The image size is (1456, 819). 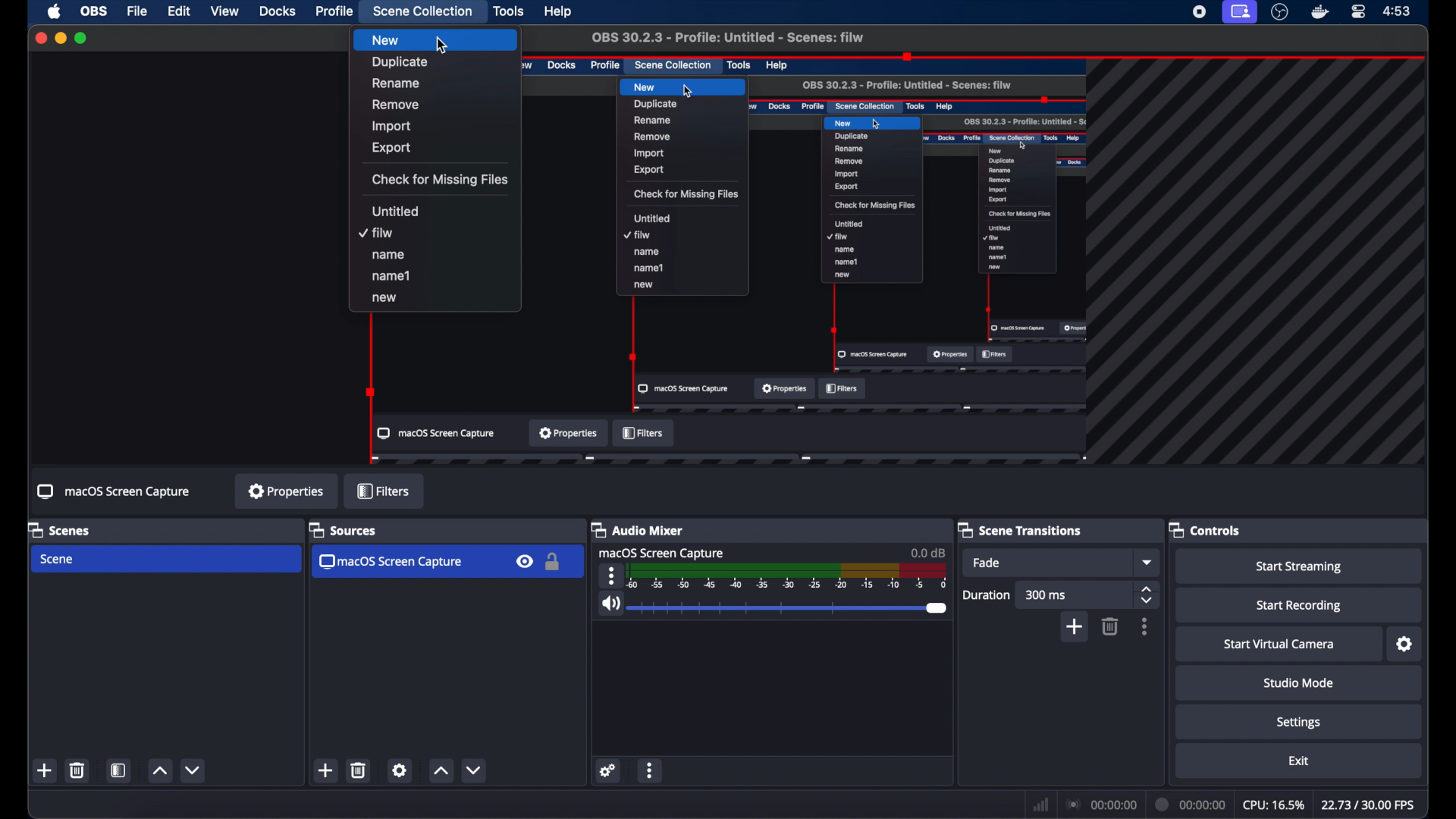 What do you see at coordinates (508, 11) in the screenshot?
I see `tools` at bounding box center [508, 11].